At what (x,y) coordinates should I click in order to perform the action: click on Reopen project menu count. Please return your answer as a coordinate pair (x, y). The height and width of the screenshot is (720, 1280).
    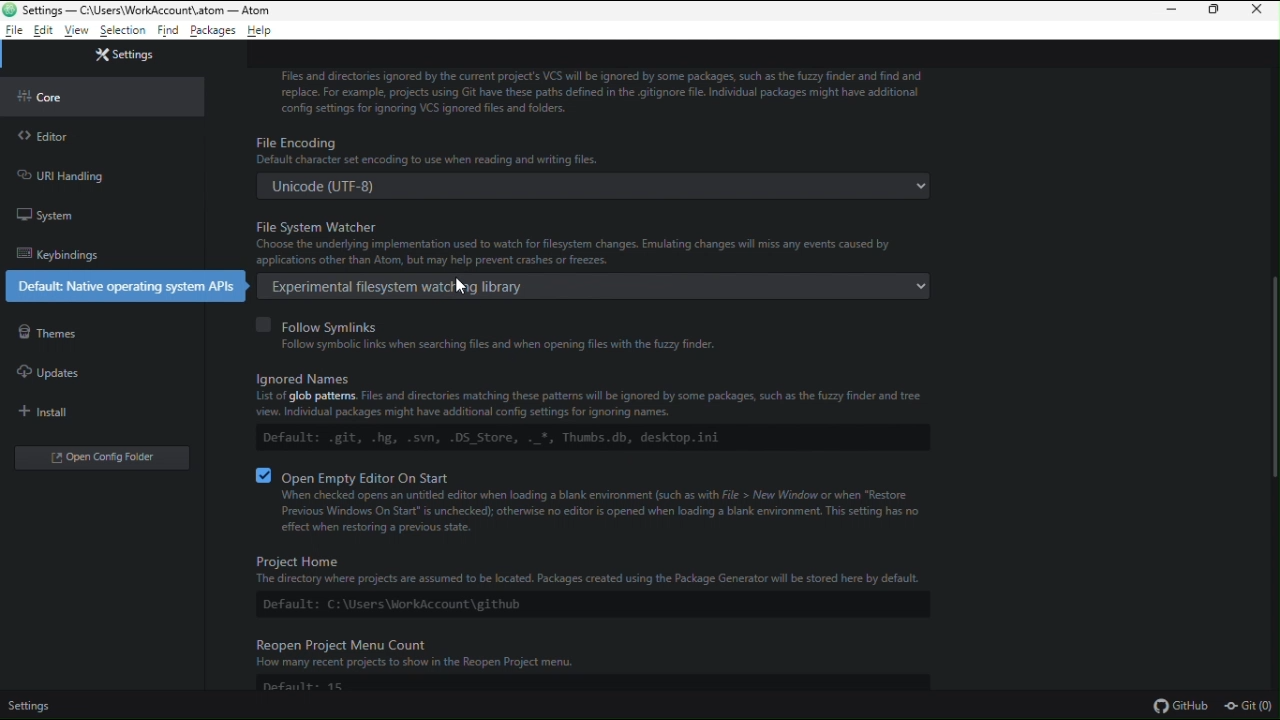
    Looking at the image, I should click on (603, 667).